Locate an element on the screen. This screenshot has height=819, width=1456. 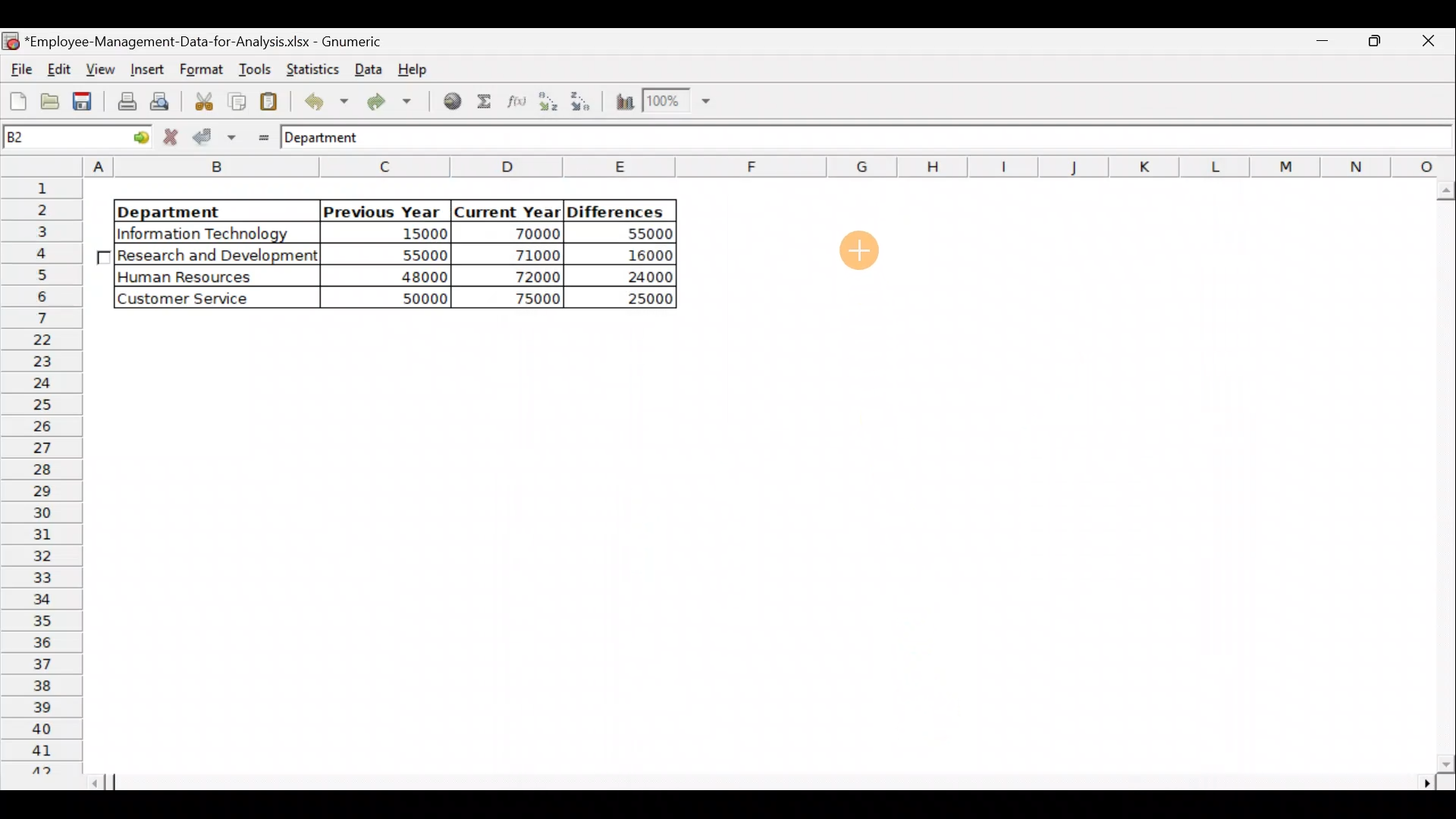
48000 is located at coordinates (399, 278).